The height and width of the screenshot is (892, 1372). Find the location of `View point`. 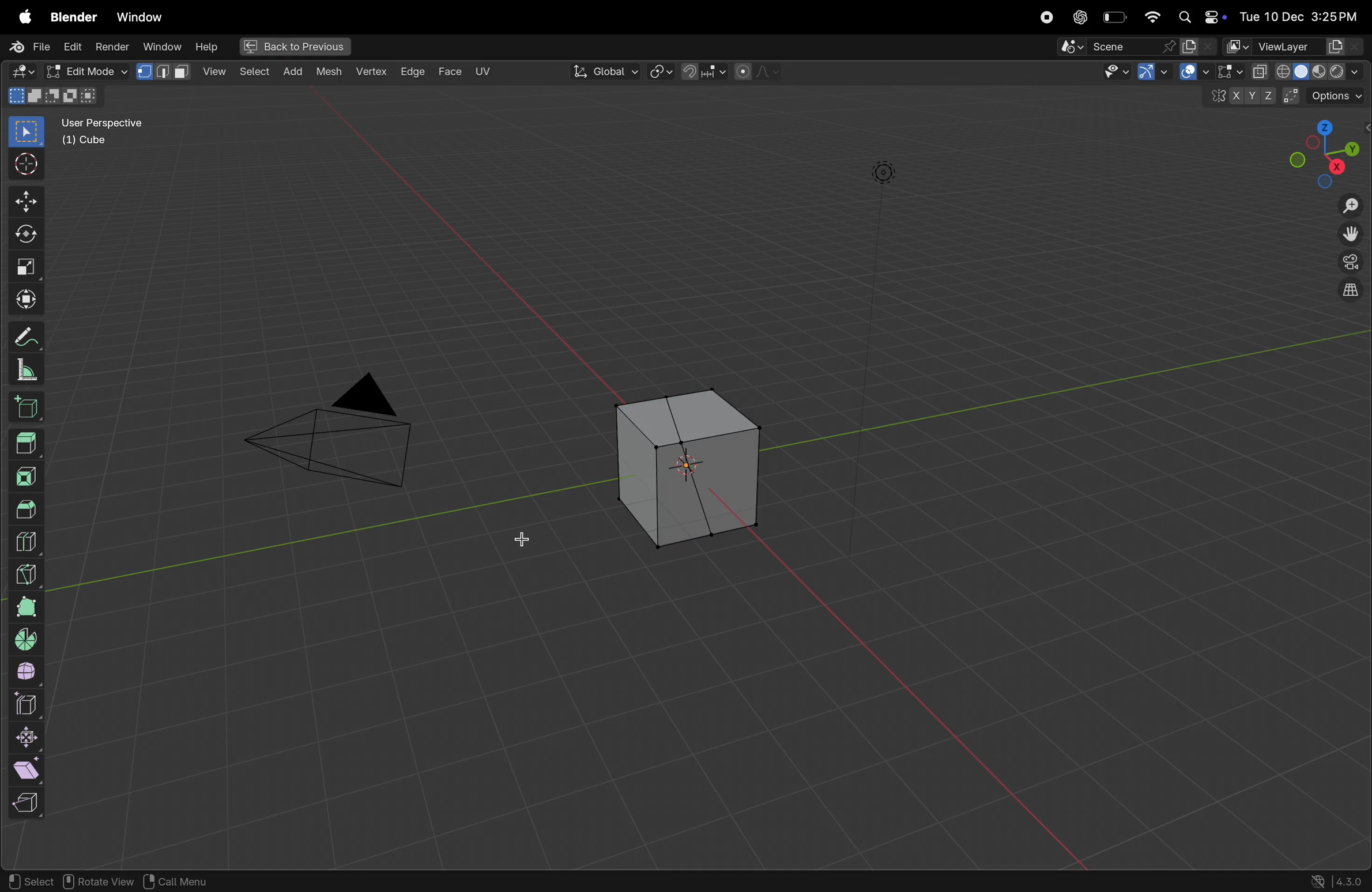

View point is located at coordinates (1326, 152).